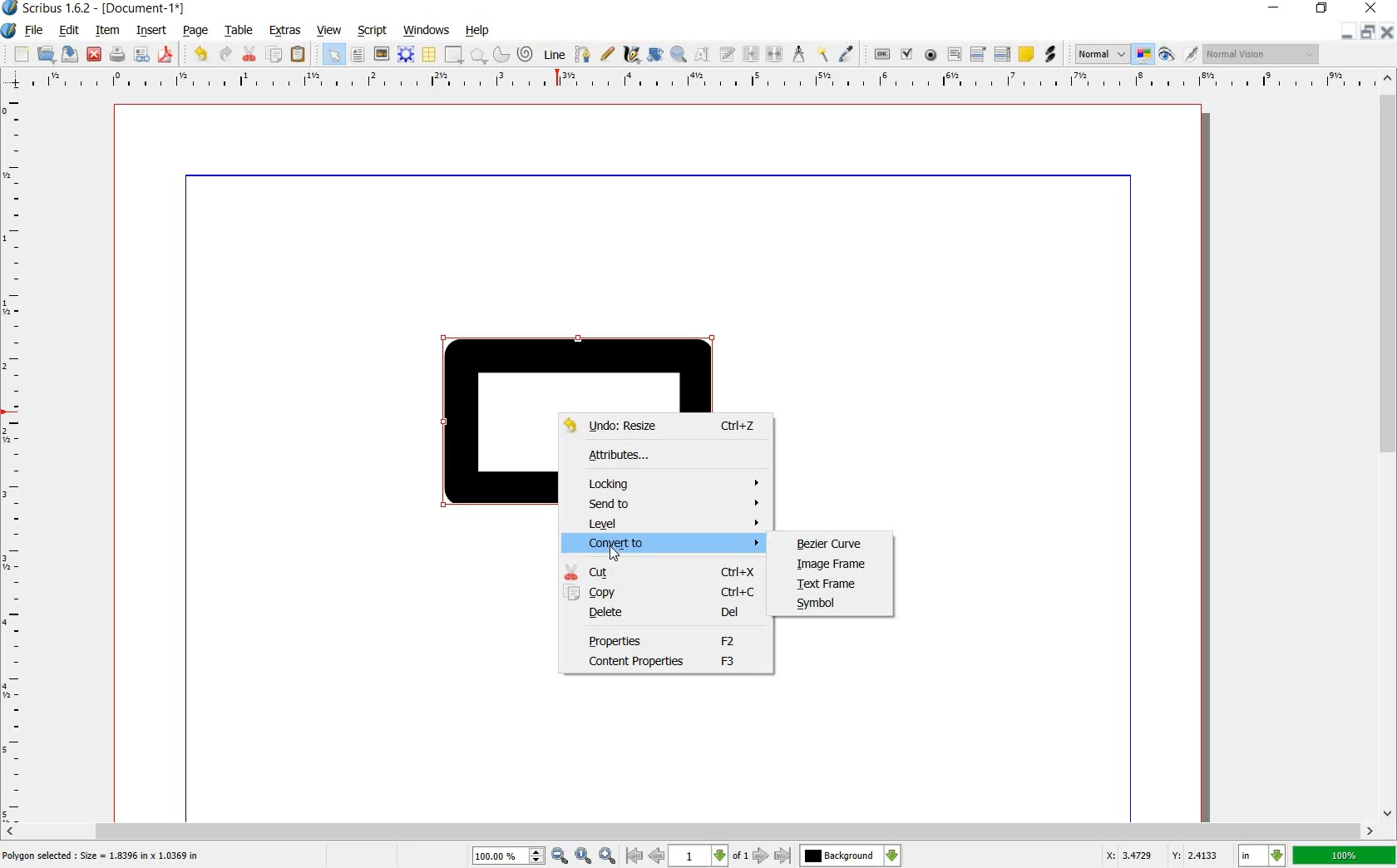  I want to click on edit contents of frame, so click(702, 56).